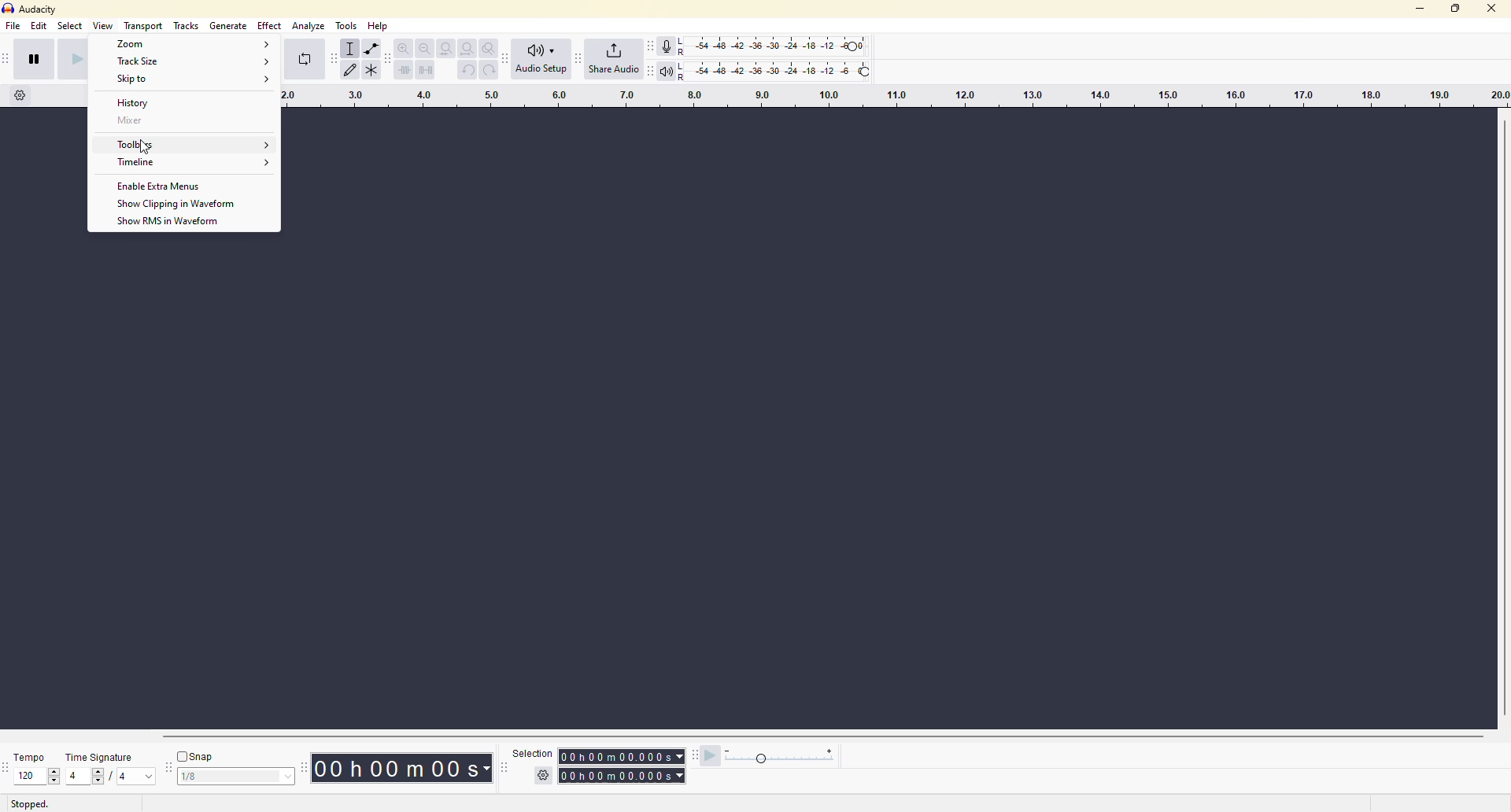 This screenshot has width=1511, height=812. What do you see at coordinates (709, 756) in the screenshot?
I see `play at speed` at bounding box center [709, 756].